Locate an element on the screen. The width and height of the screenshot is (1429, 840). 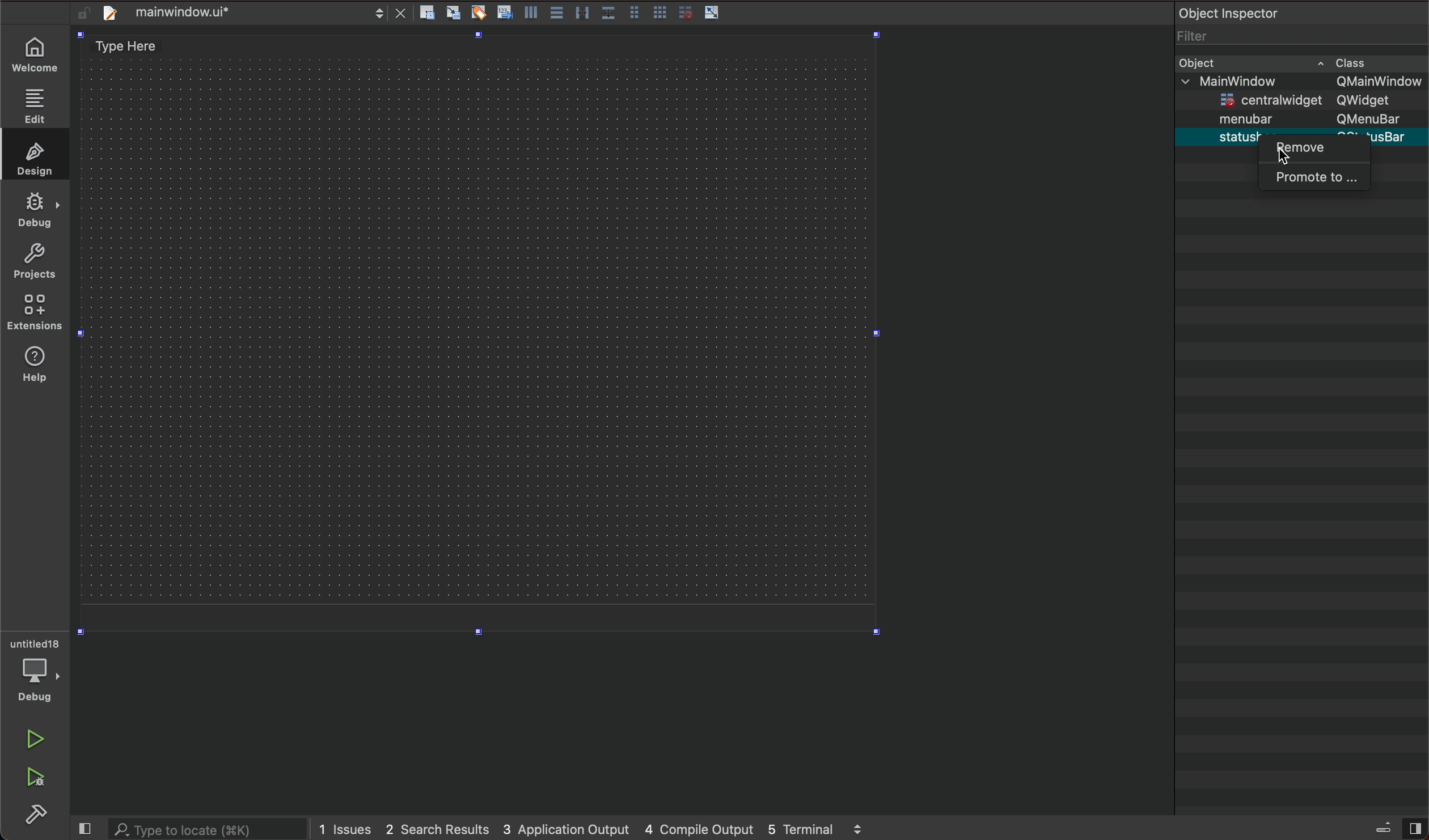
object inspector is located at coordinates (1300, 12).